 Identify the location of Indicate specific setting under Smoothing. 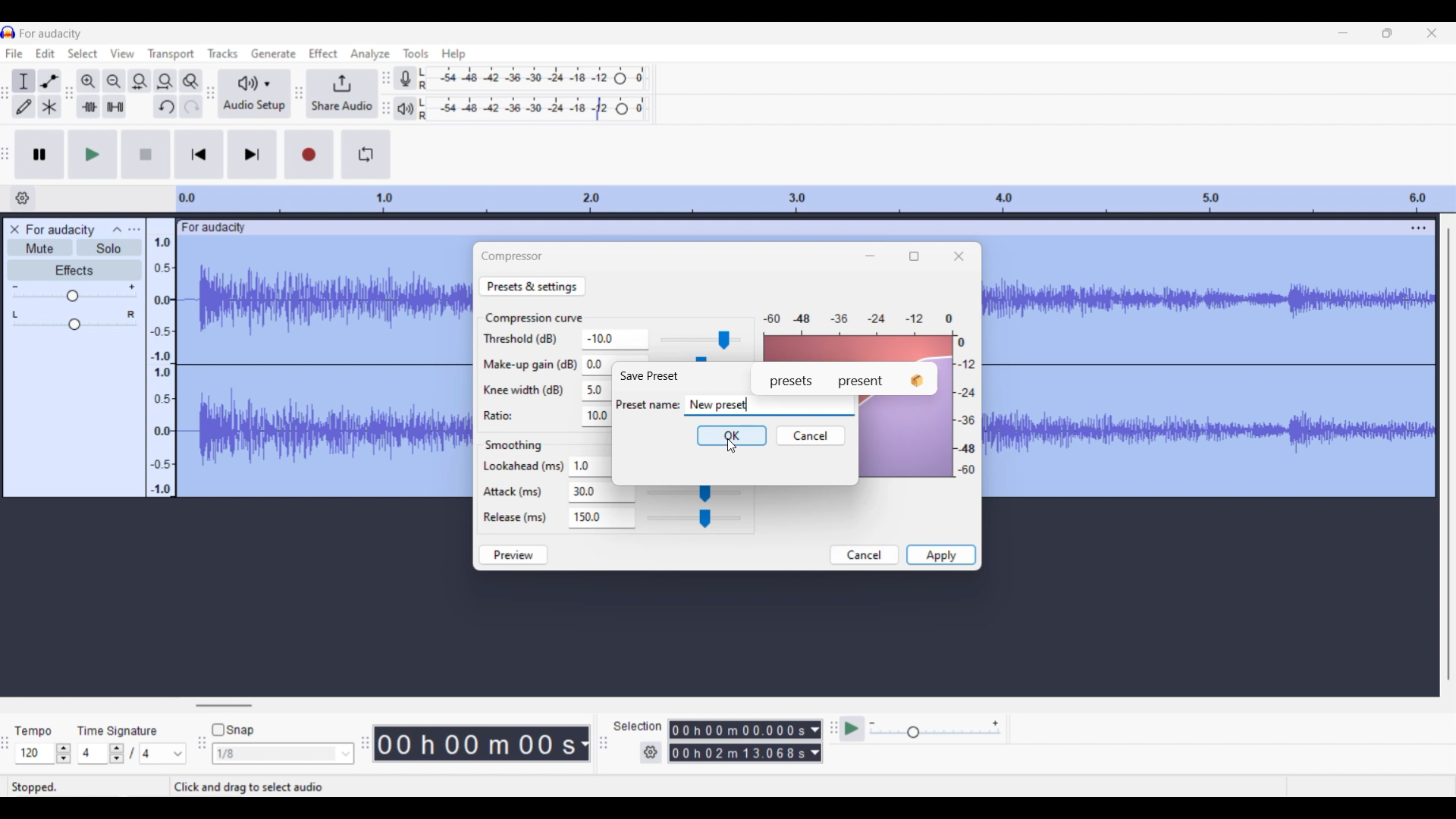
(523, 491).